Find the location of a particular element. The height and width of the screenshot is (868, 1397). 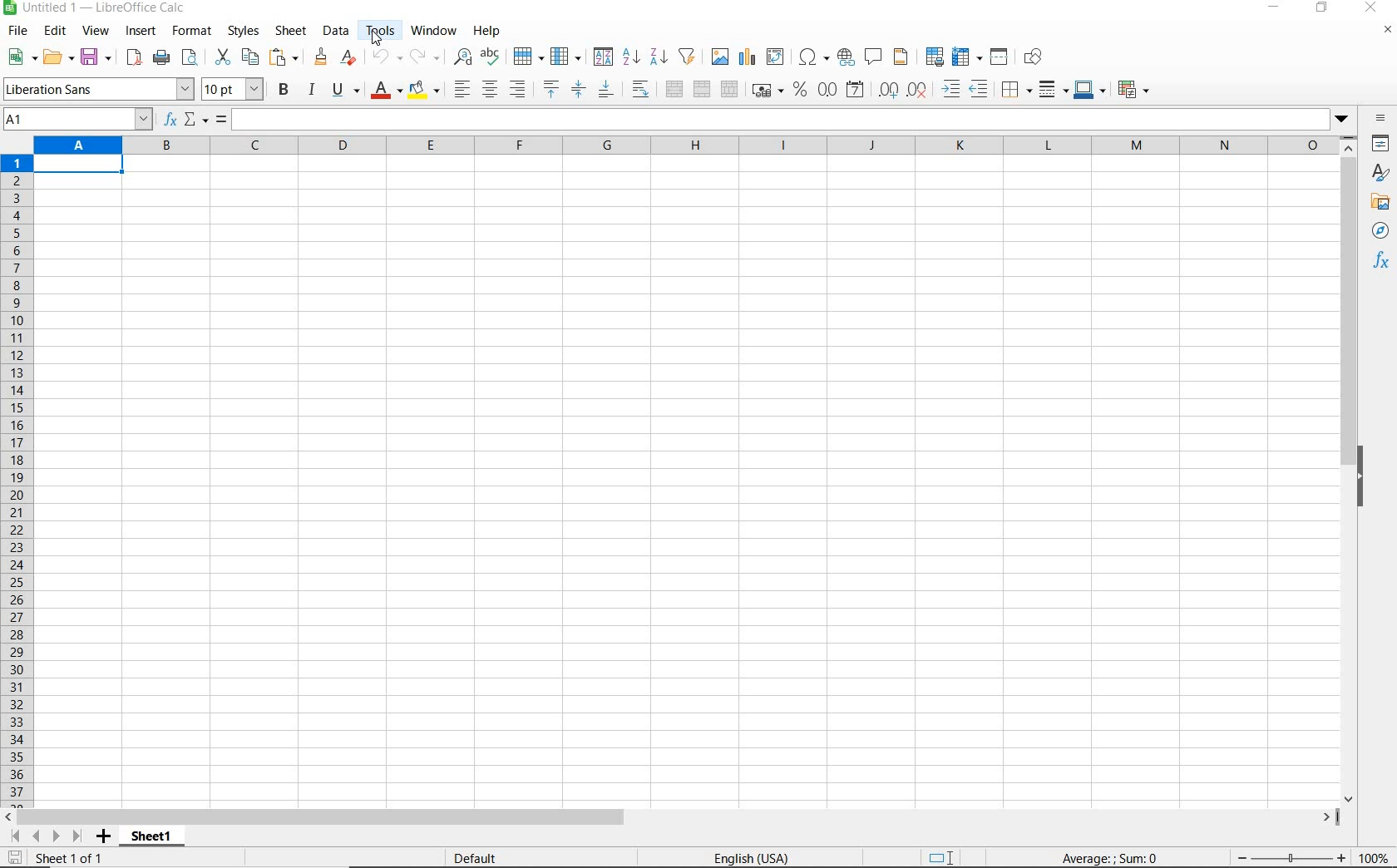

cut is located at coordinates (222, 57).